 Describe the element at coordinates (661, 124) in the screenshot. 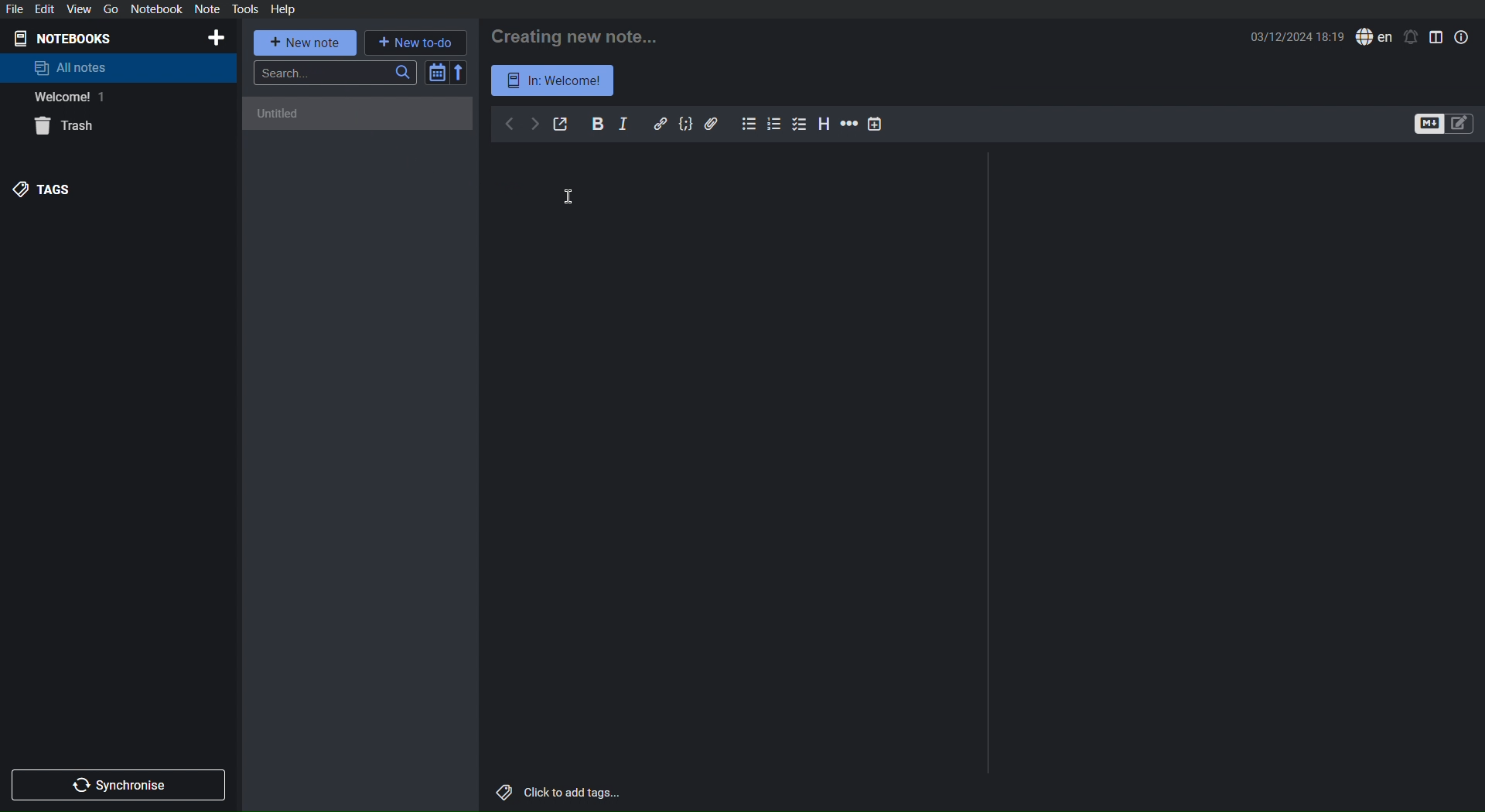

I see `Hyperlink` at that location.